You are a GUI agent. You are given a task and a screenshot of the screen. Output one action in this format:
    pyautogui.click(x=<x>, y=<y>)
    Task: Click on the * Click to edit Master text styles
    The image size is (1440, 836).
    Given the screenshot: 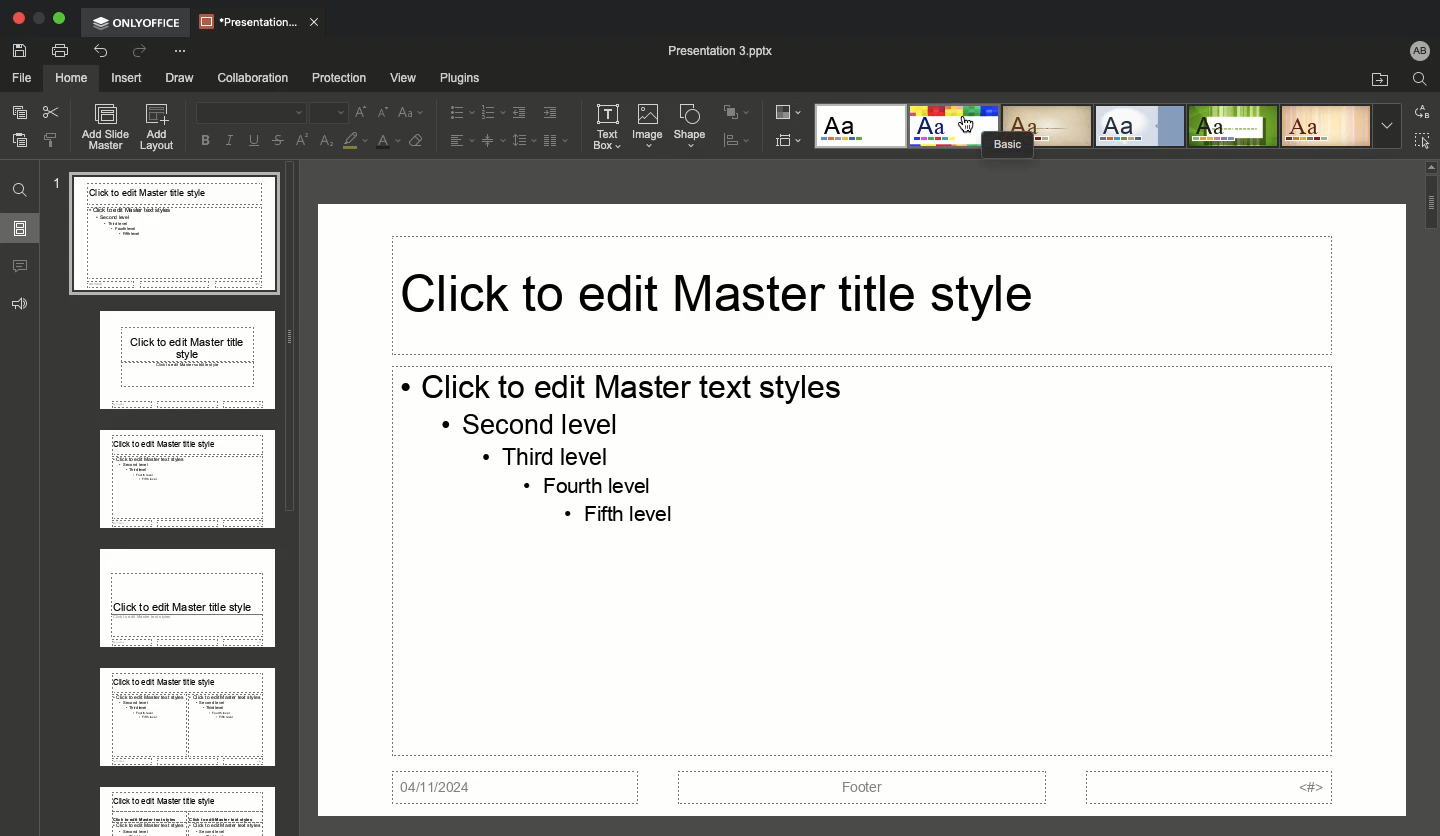 What is the action you would take?
    pyautogui.click(x=628, y=385)
    